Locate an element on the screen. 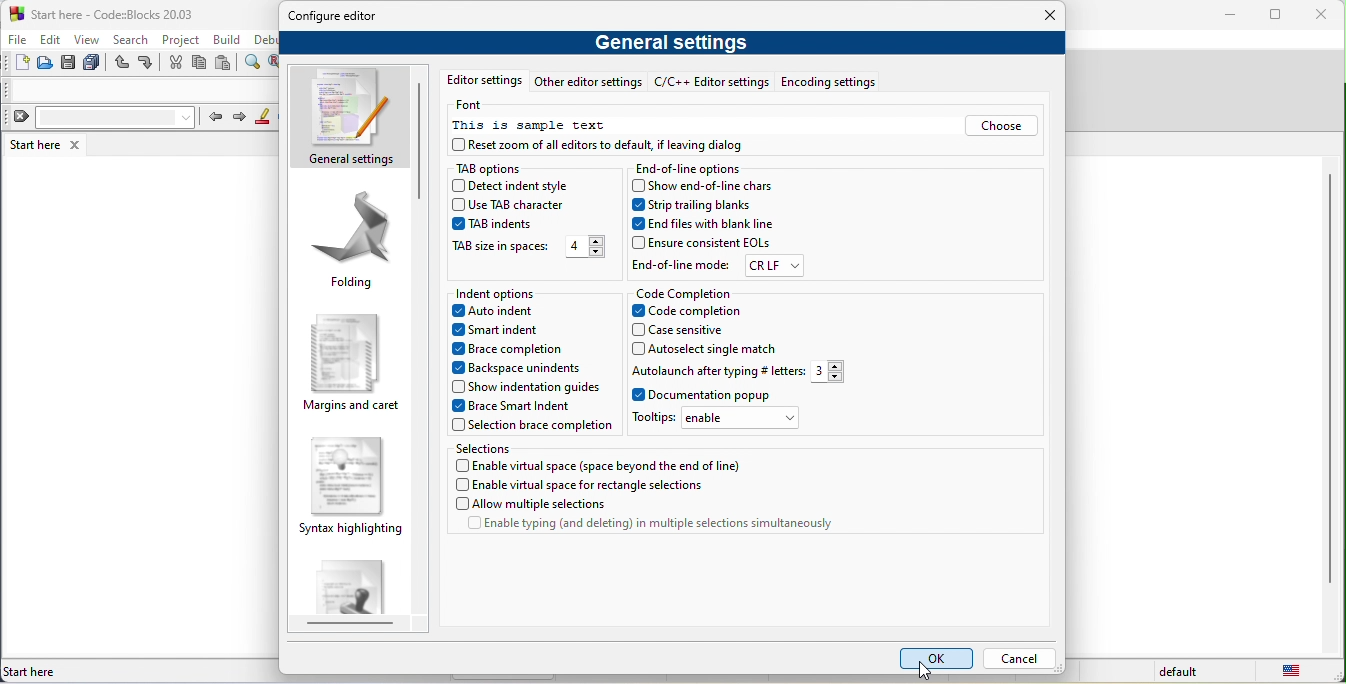 Image resolution: width=1346 pixels, height=684 pixels. tab size in spaces 4 is located at coordinates (530, 248).